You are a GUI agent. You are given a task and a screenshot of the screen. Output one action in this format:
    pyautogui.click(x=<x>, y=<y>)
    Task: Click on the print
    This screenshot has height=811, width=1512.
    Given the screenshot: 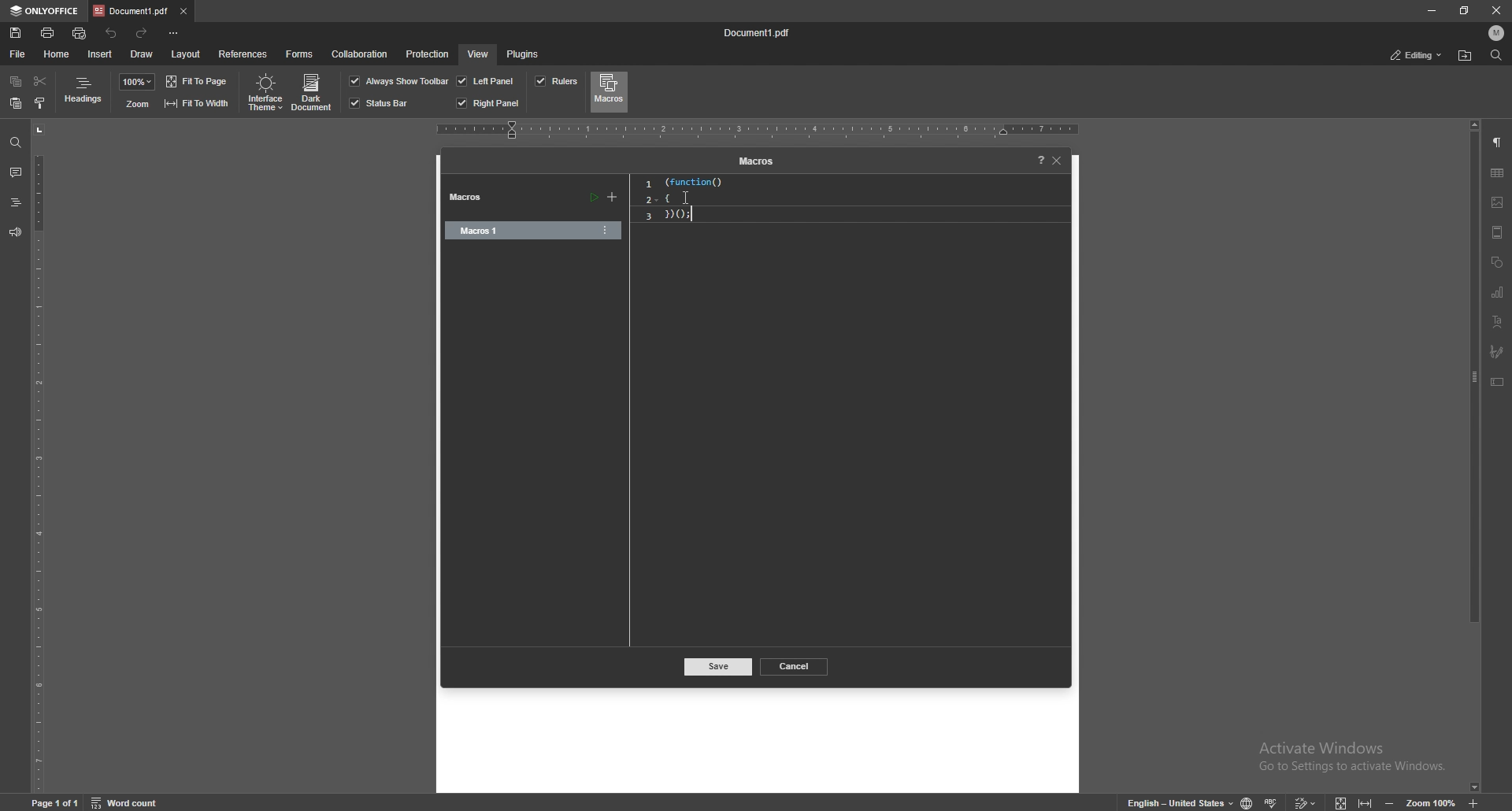 What is the action you would take?
    pyautogui.click(x=48, y=31)
    